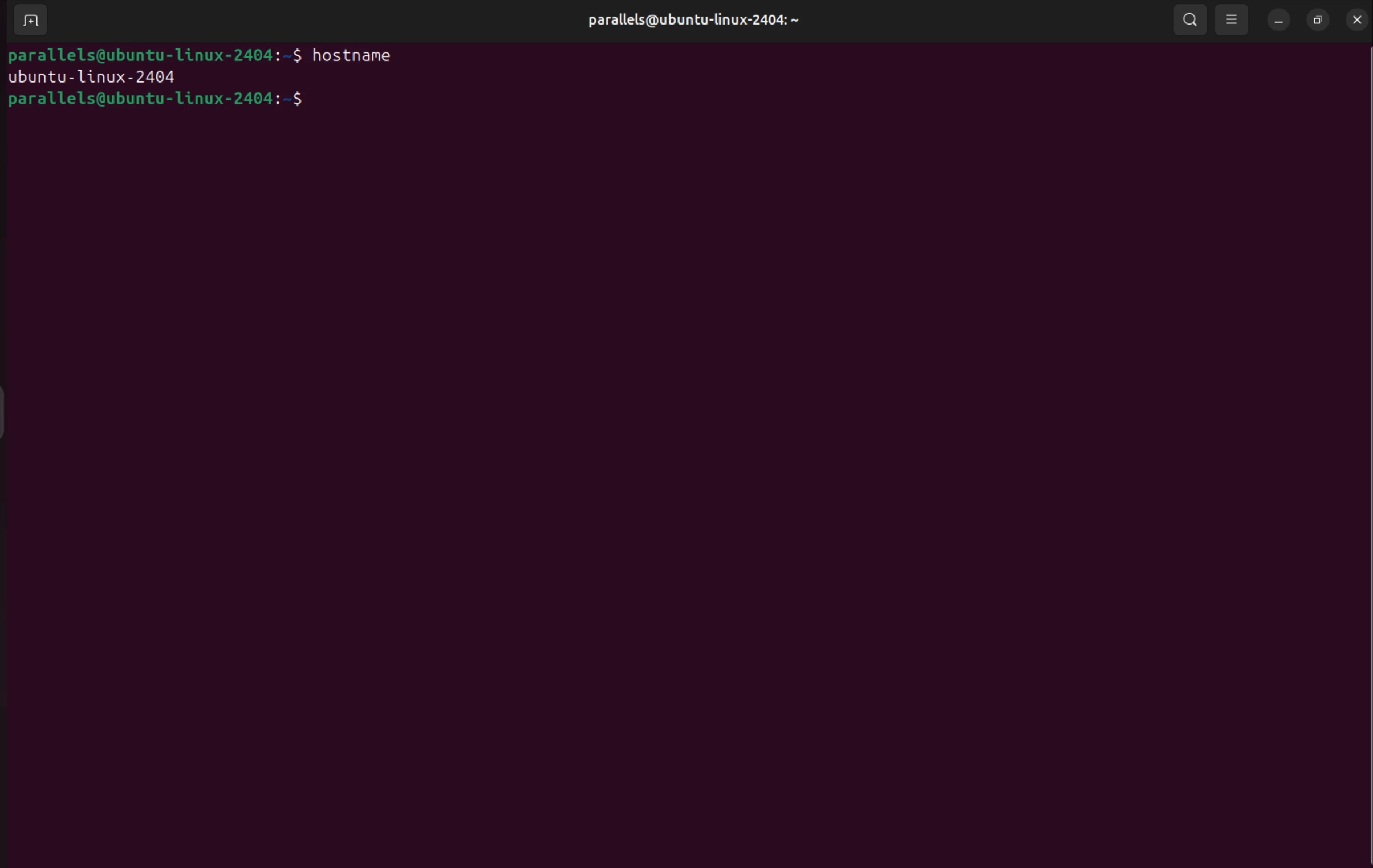 This screenshot has width=1373, height=868. Describe the element at coordinates (1362, 425) in the screenshot. I see `Scrollbar` at that location.